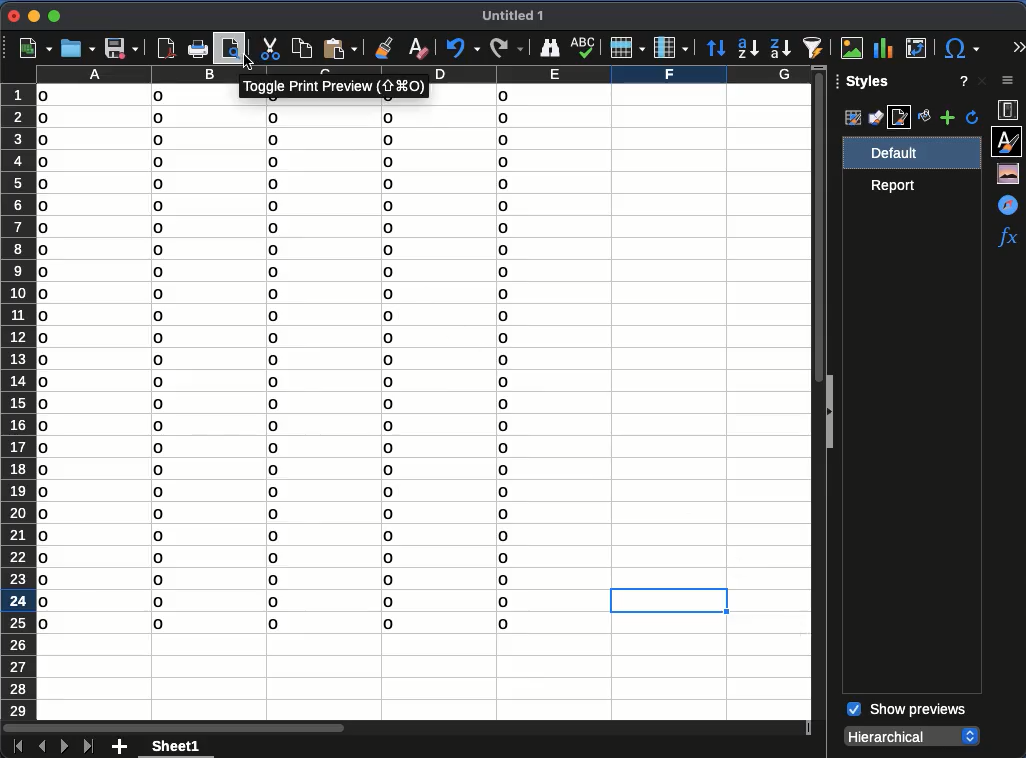  What do you see at coordinates (88, 745) in the screenshot?
I see `last sheet` at bounding box center [88, 745].